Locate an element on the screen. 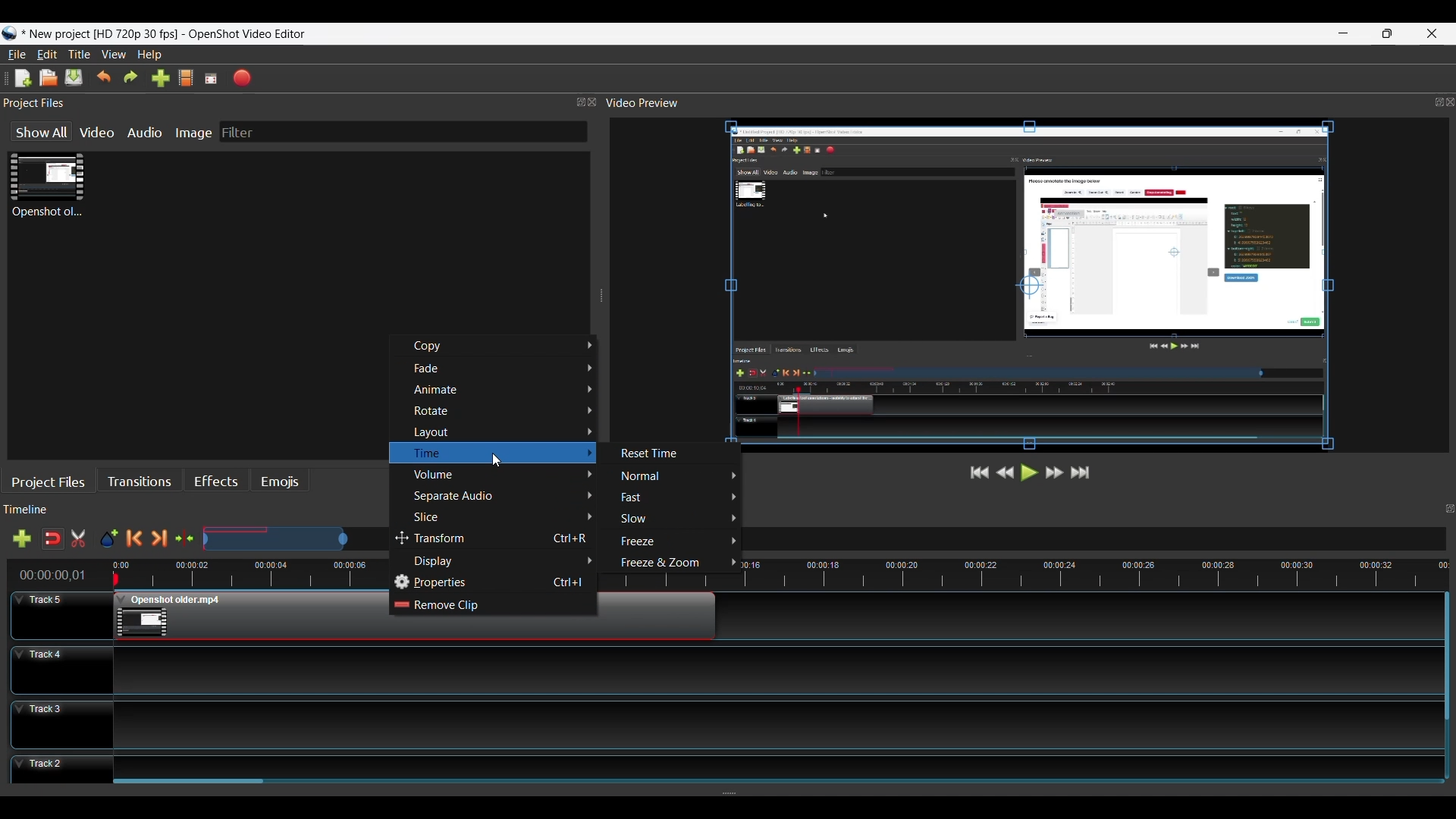 This screenshot has height=819, width=1456. Transitions is located at coordinates (138, 482).